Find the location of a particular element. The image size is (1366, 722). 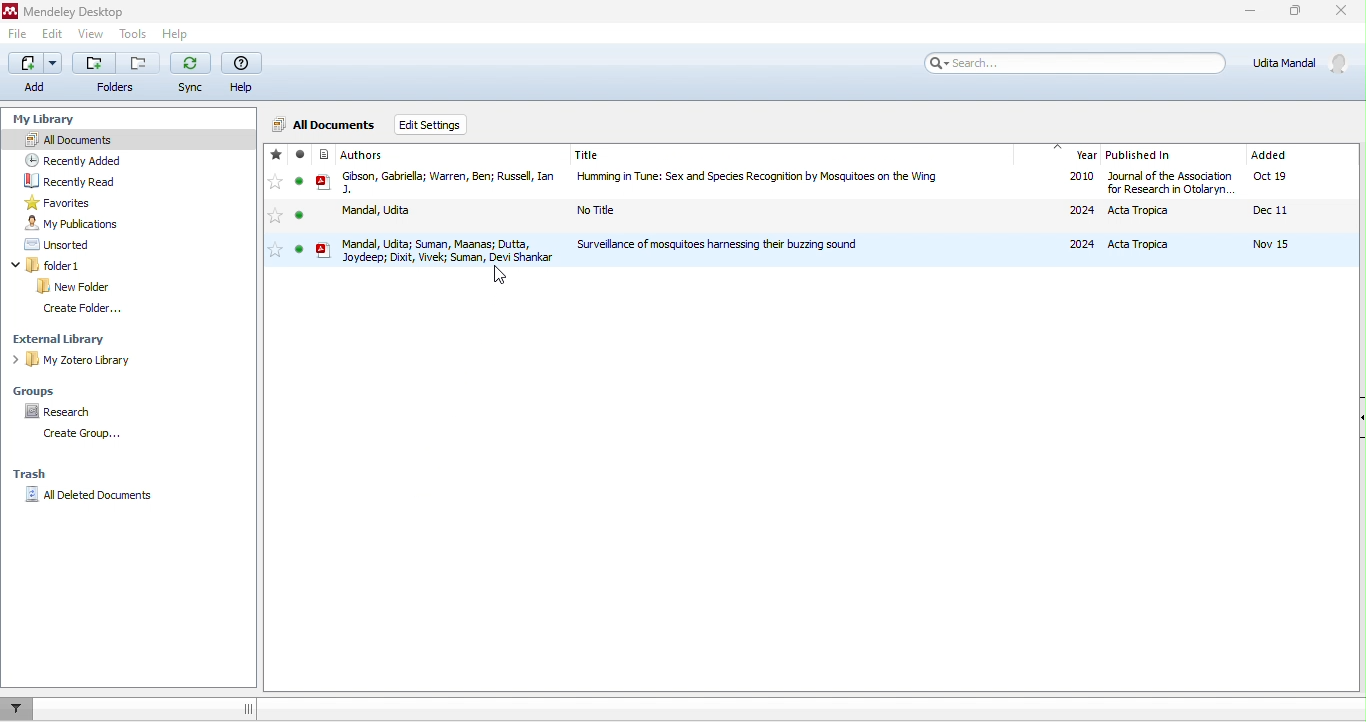

filter is located at coordinates (23, 709).